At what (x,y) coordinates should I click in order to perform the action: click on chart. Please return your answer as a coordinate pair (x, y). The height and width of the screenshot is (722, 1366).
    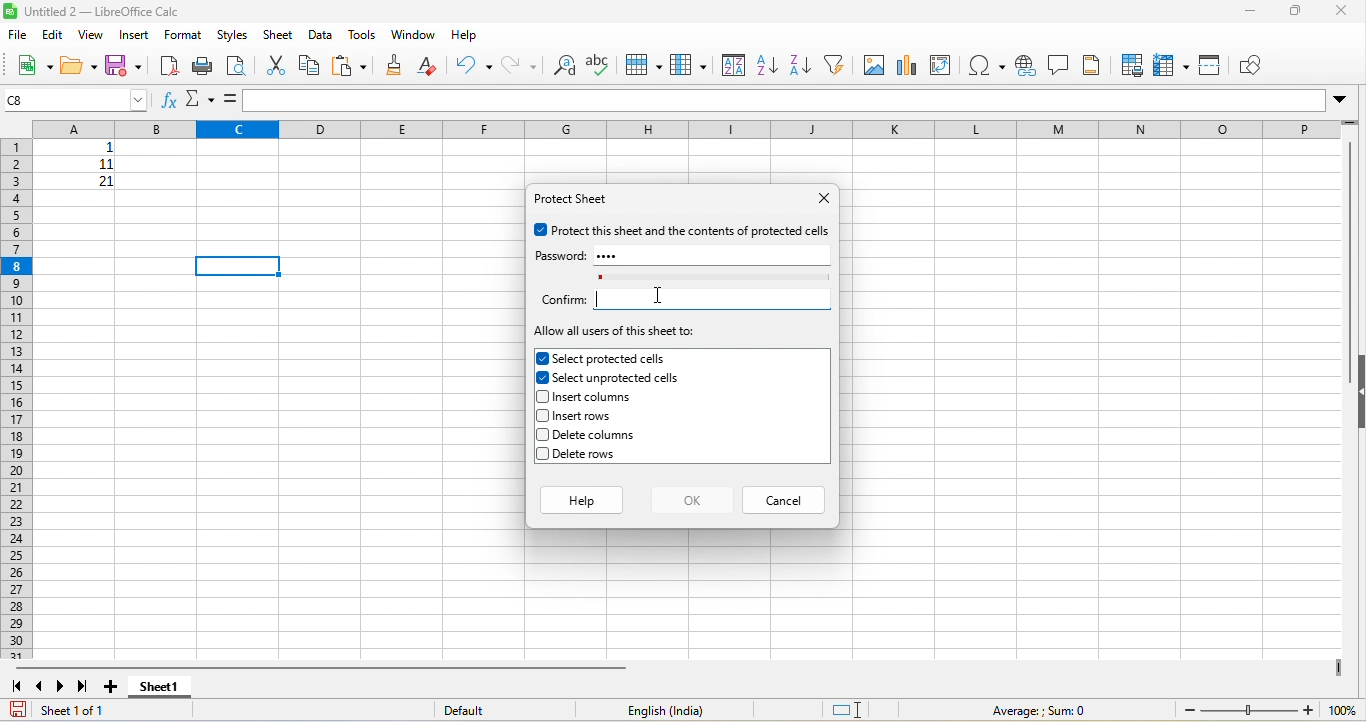
    Looking at the image, I should click on (907, 65).